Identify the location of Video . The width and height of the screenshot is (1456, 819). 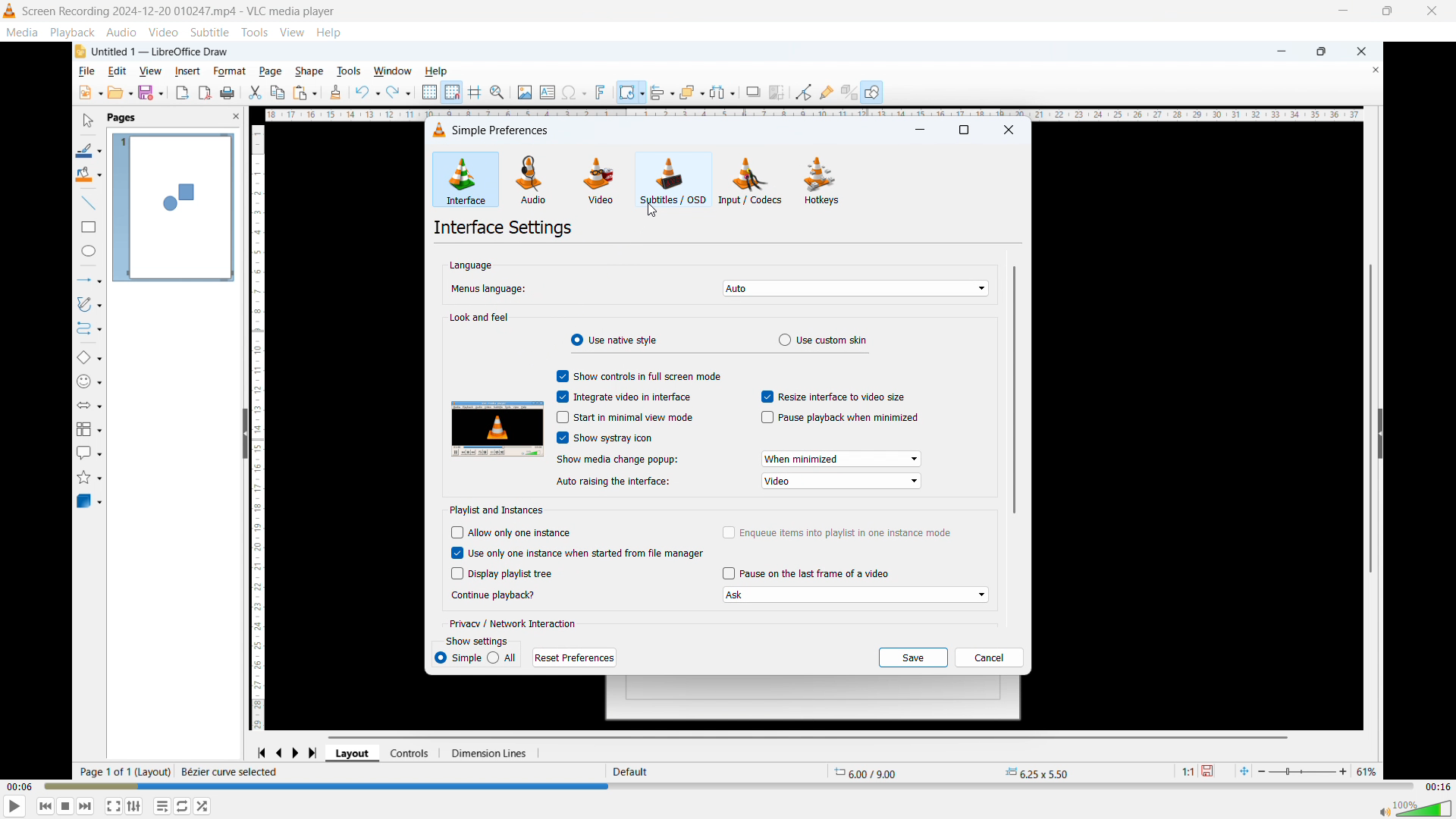
(162, 33).